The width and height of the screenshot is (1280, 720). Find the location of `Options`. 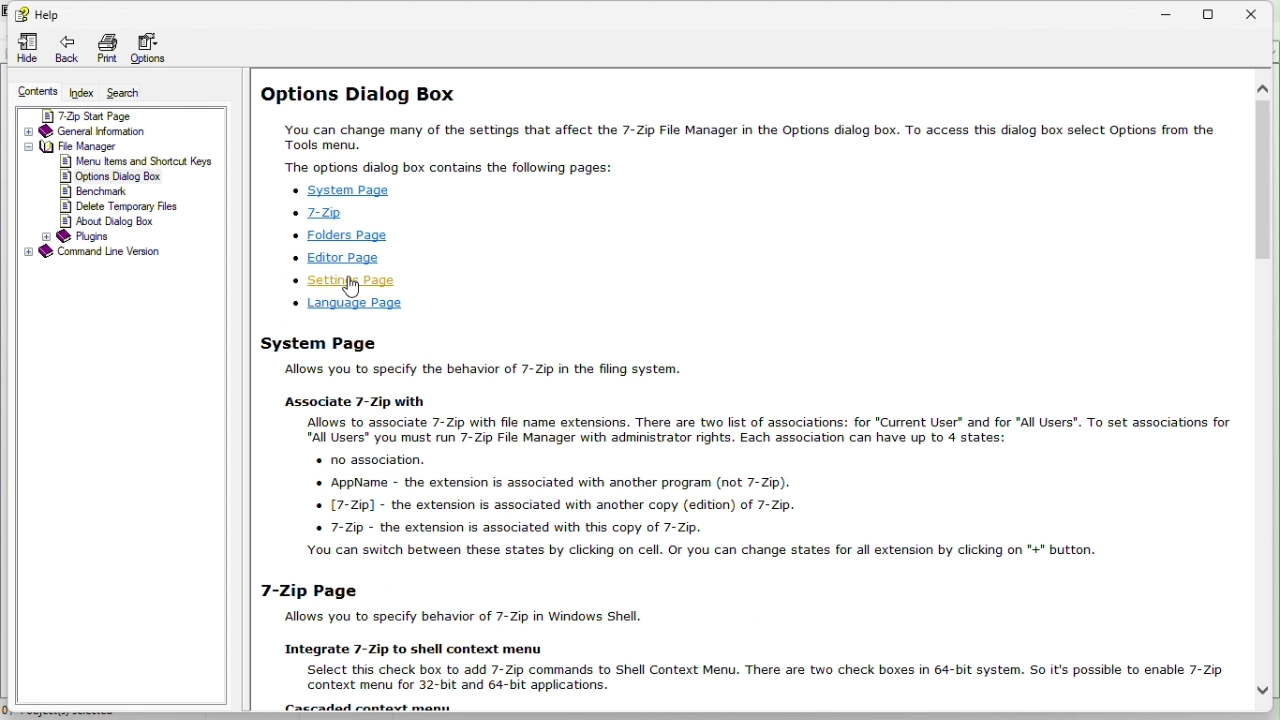

Options is located at coordinates (154, 51).